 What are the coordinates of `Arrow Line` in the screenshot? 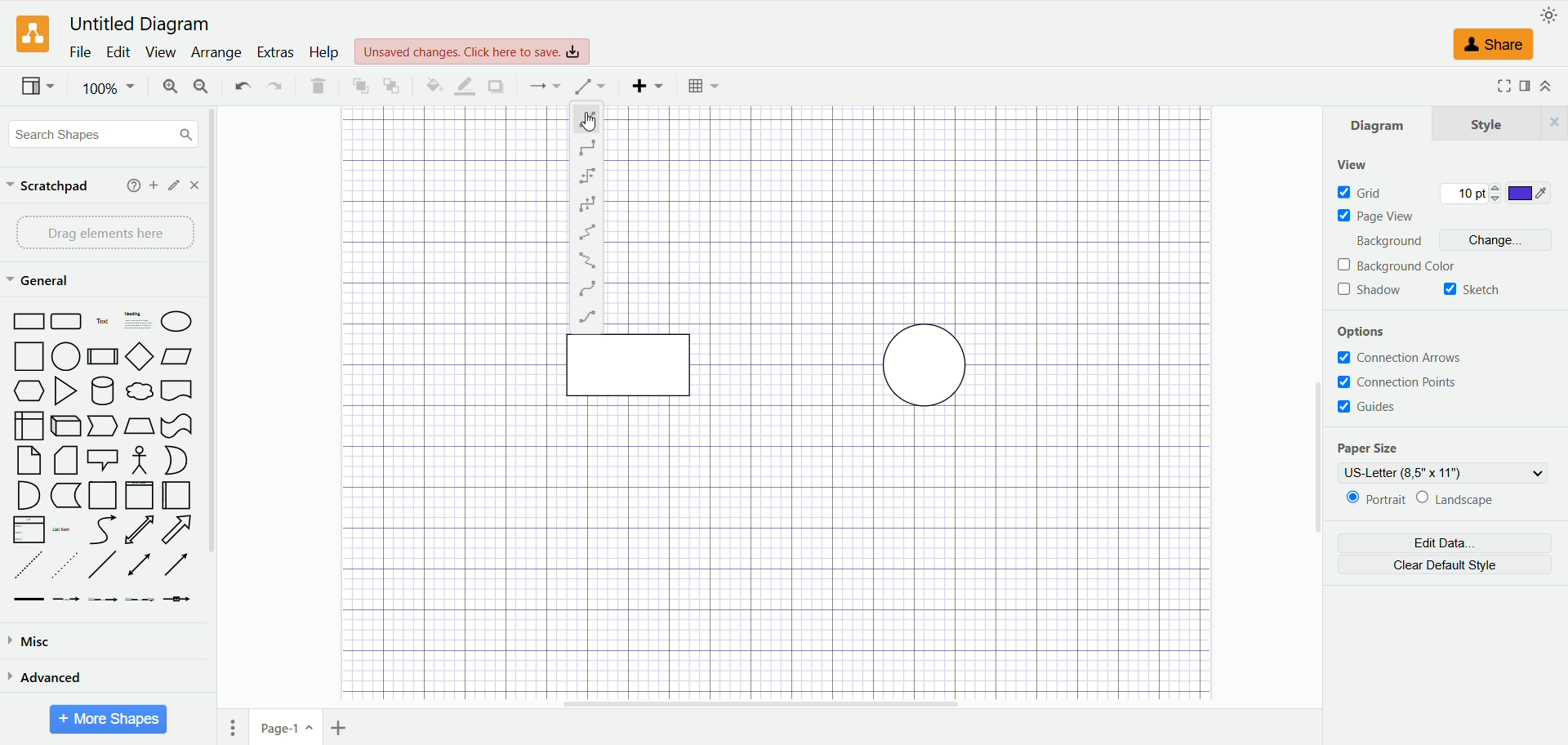 It's located at (176, 567).